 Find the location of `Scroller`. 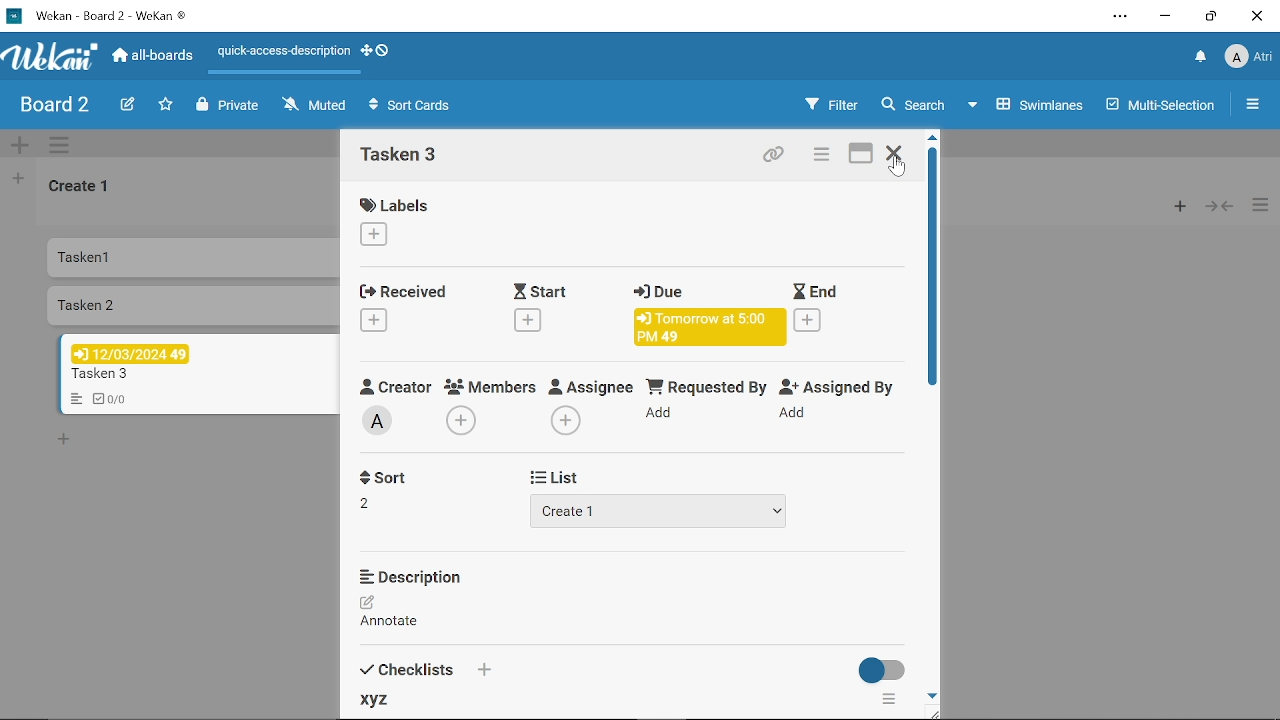

Scroller is located at coordinates (932, 266).